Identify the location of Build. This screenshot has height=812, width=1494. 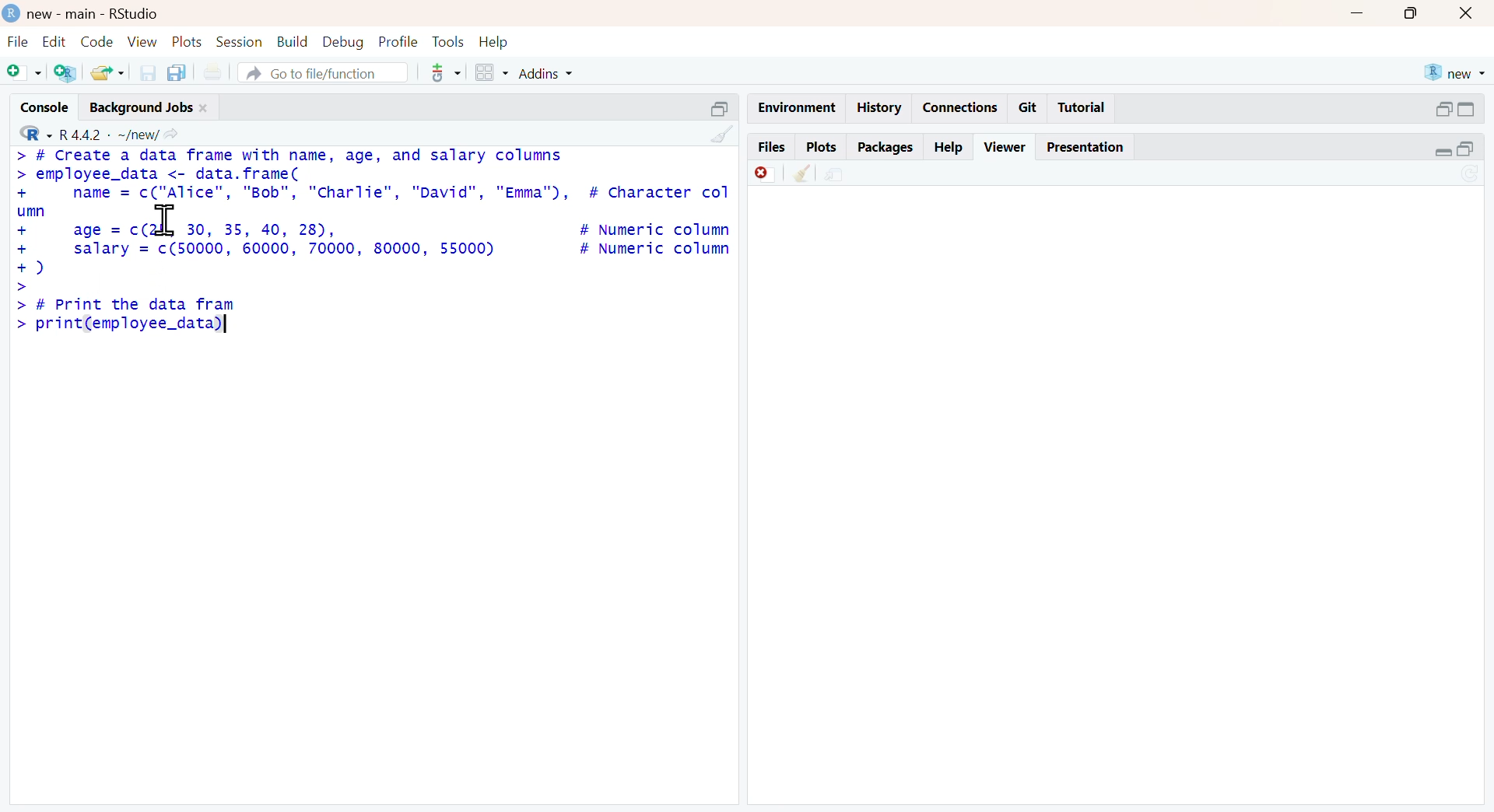
(288, 40).